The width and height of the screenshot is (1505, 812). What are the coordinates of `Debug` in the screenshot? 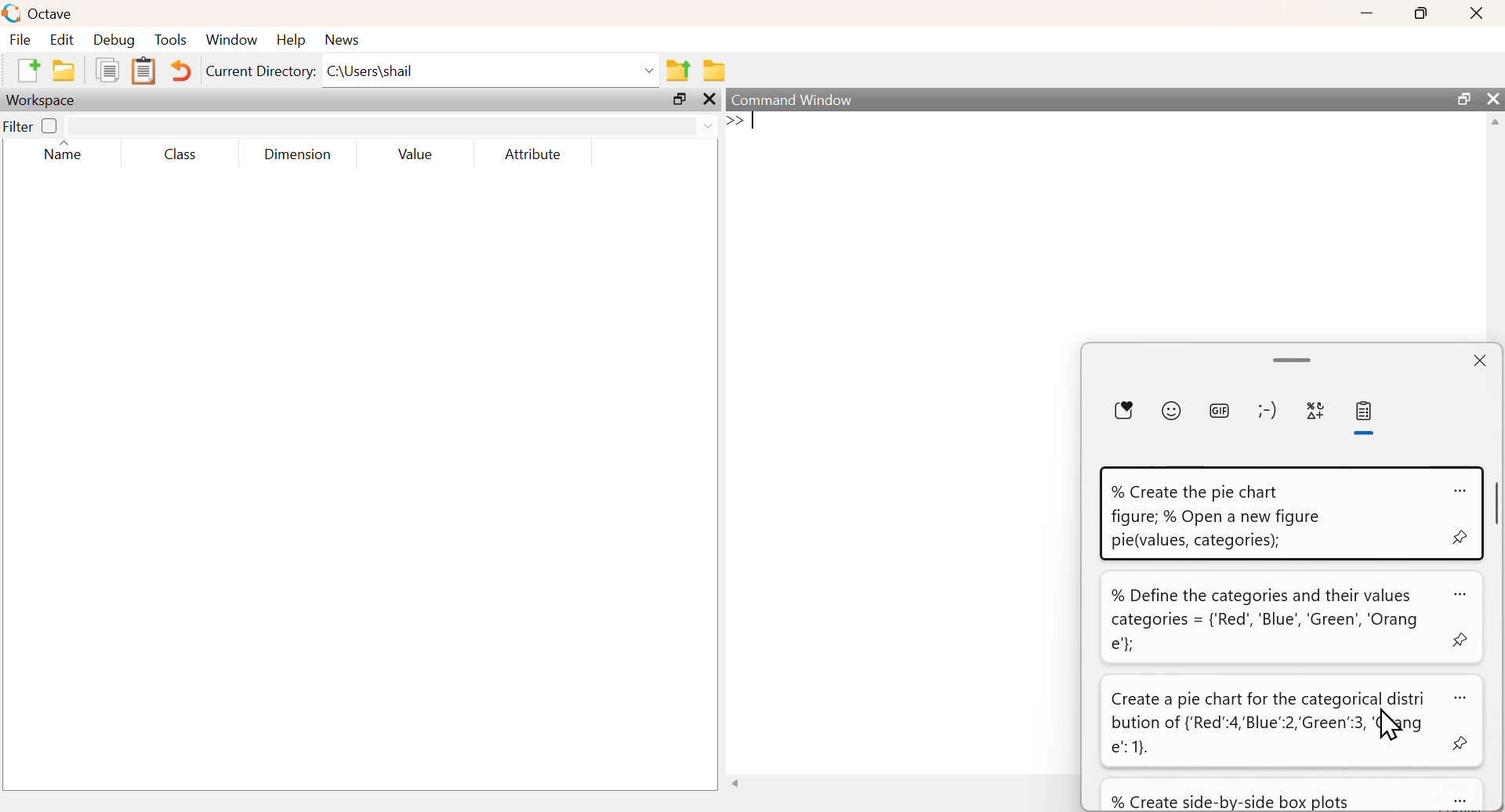 It's located at (114, 40).